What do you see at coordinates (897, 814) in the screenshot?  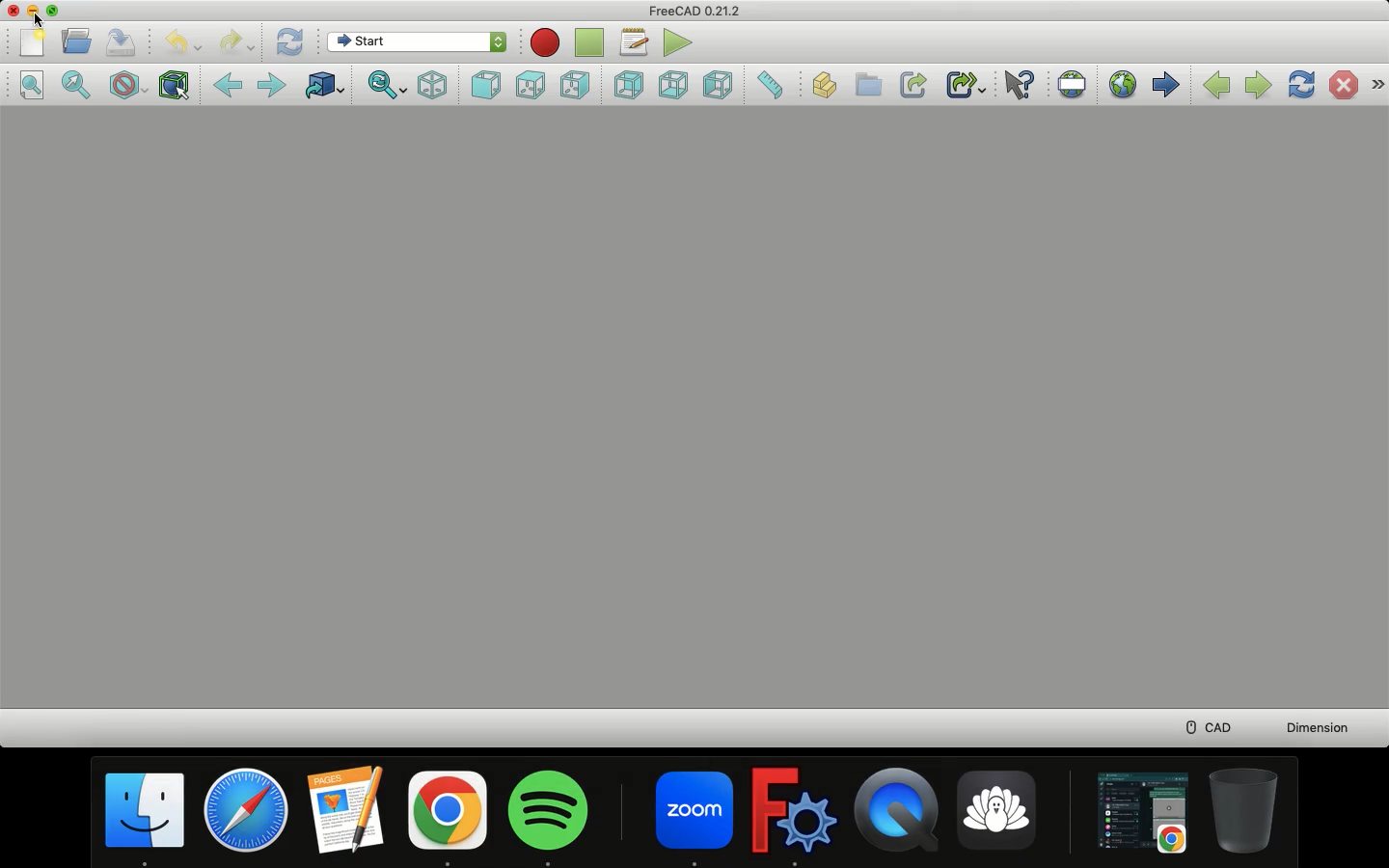 I see `Video player` at bounding box center [897, 814].